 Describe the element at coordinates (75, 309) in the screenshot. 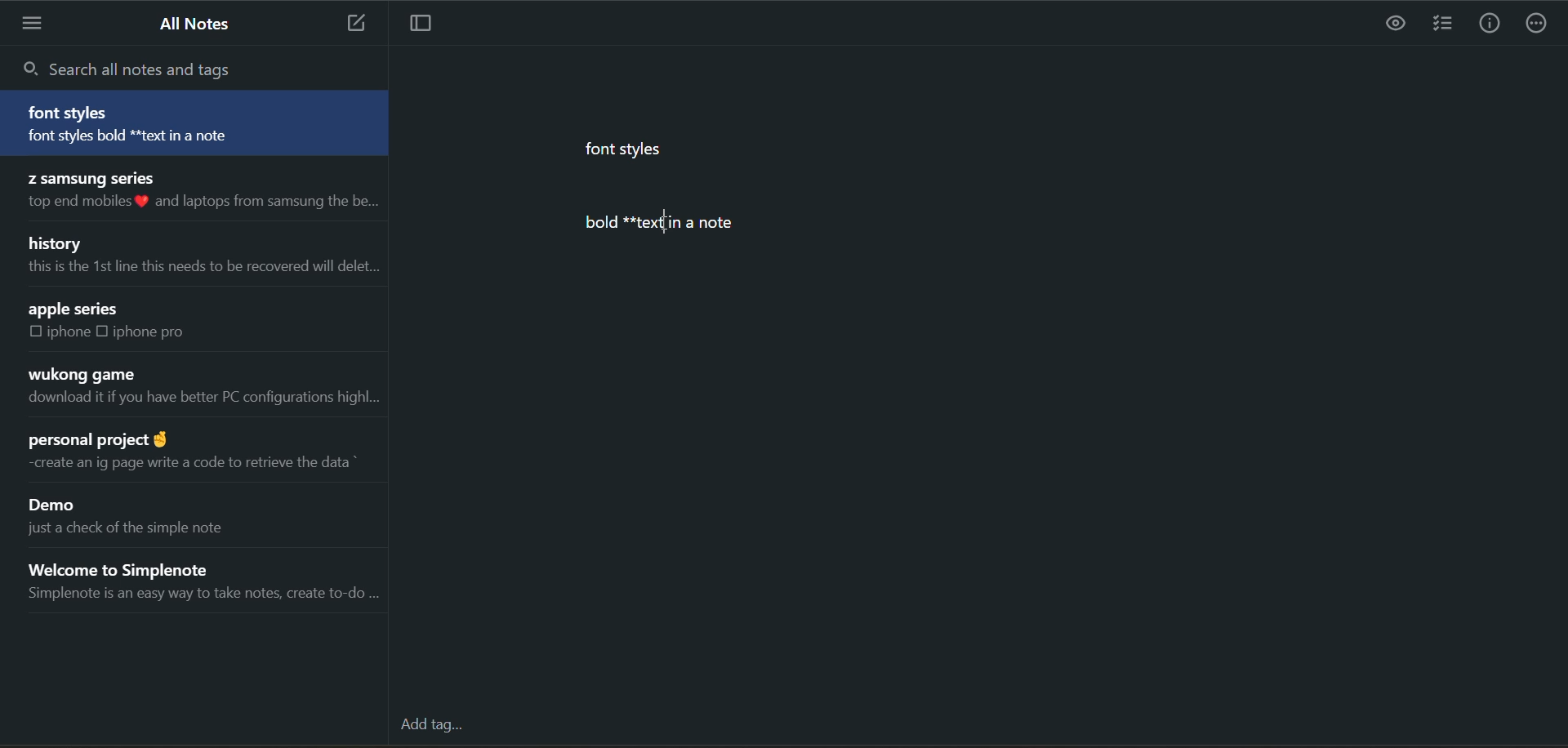

I see `apple series` at that location.